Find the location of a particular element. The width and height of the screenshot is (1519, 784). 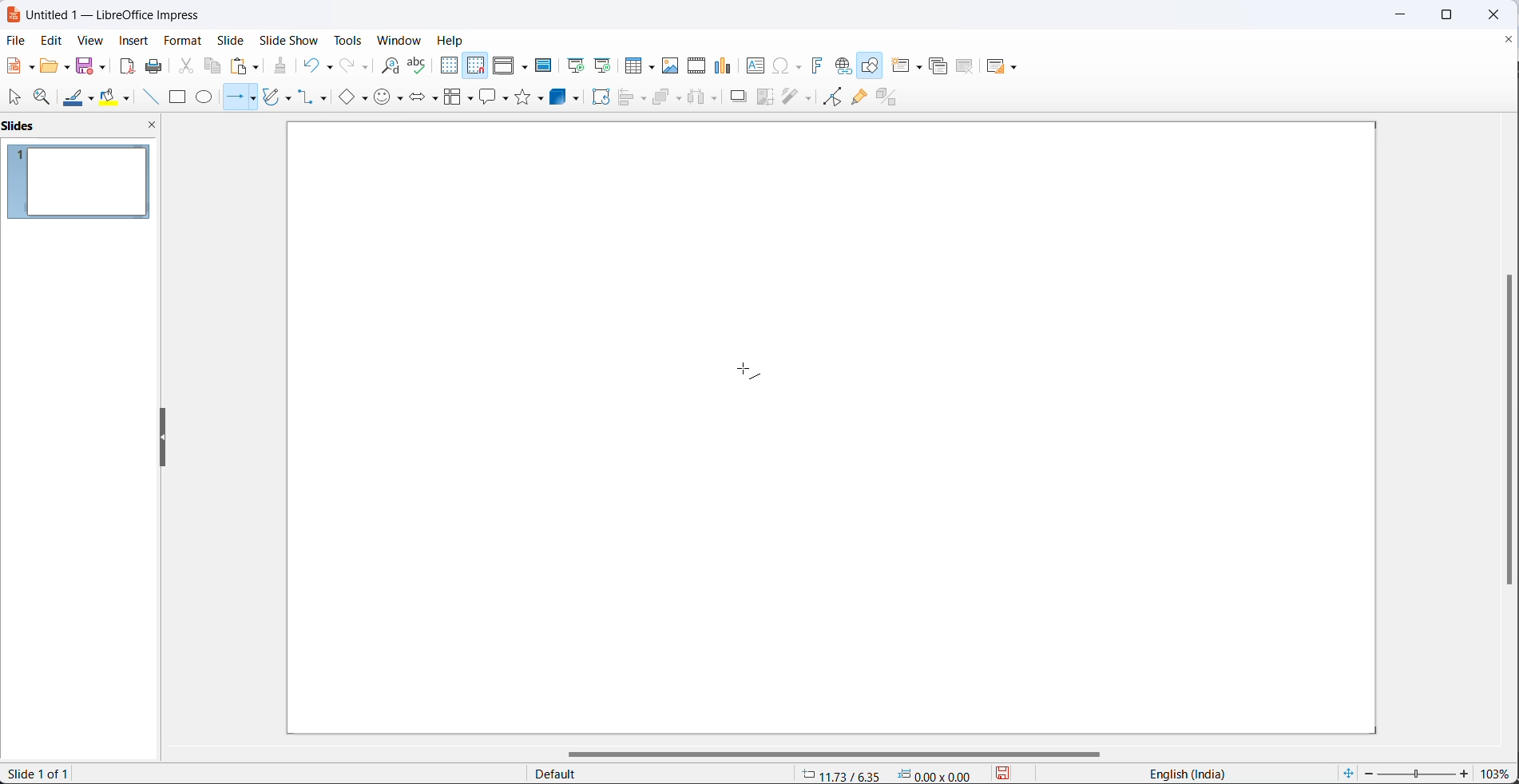

ellipse is located at coordinates (204, 98).